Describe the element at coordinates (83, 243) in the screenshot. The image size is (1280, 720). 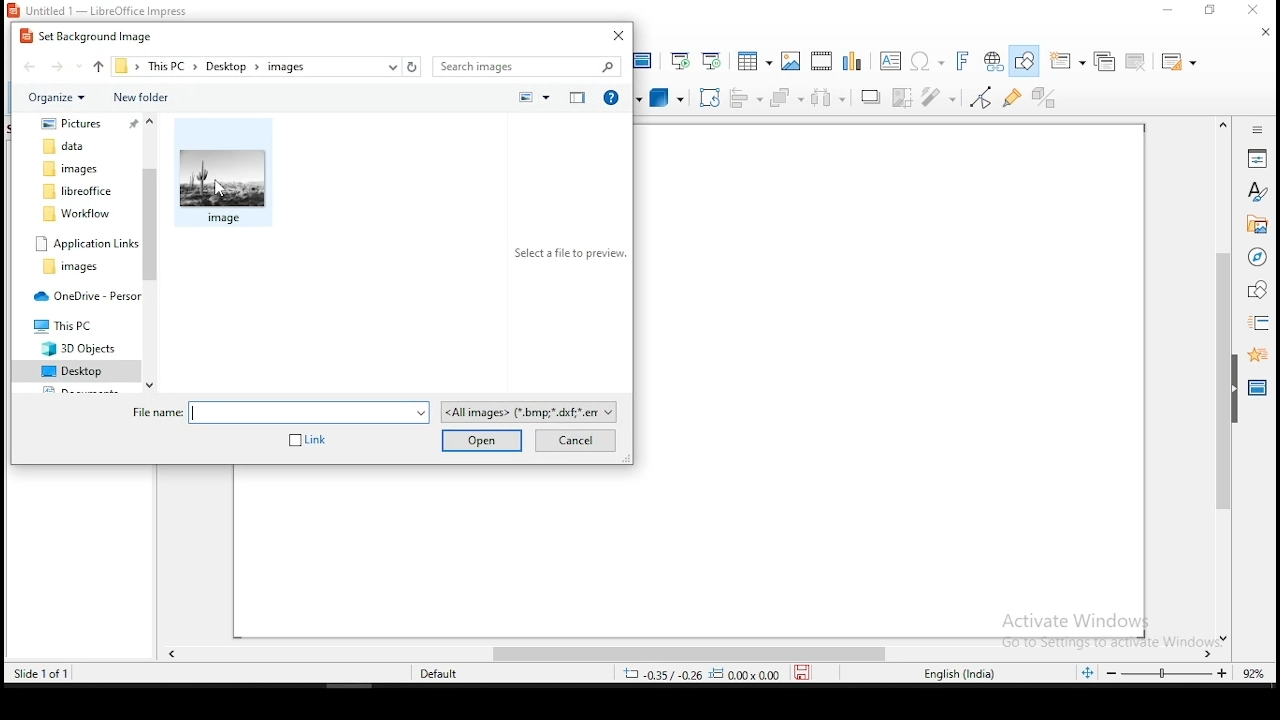
I see `Application links` at that location.